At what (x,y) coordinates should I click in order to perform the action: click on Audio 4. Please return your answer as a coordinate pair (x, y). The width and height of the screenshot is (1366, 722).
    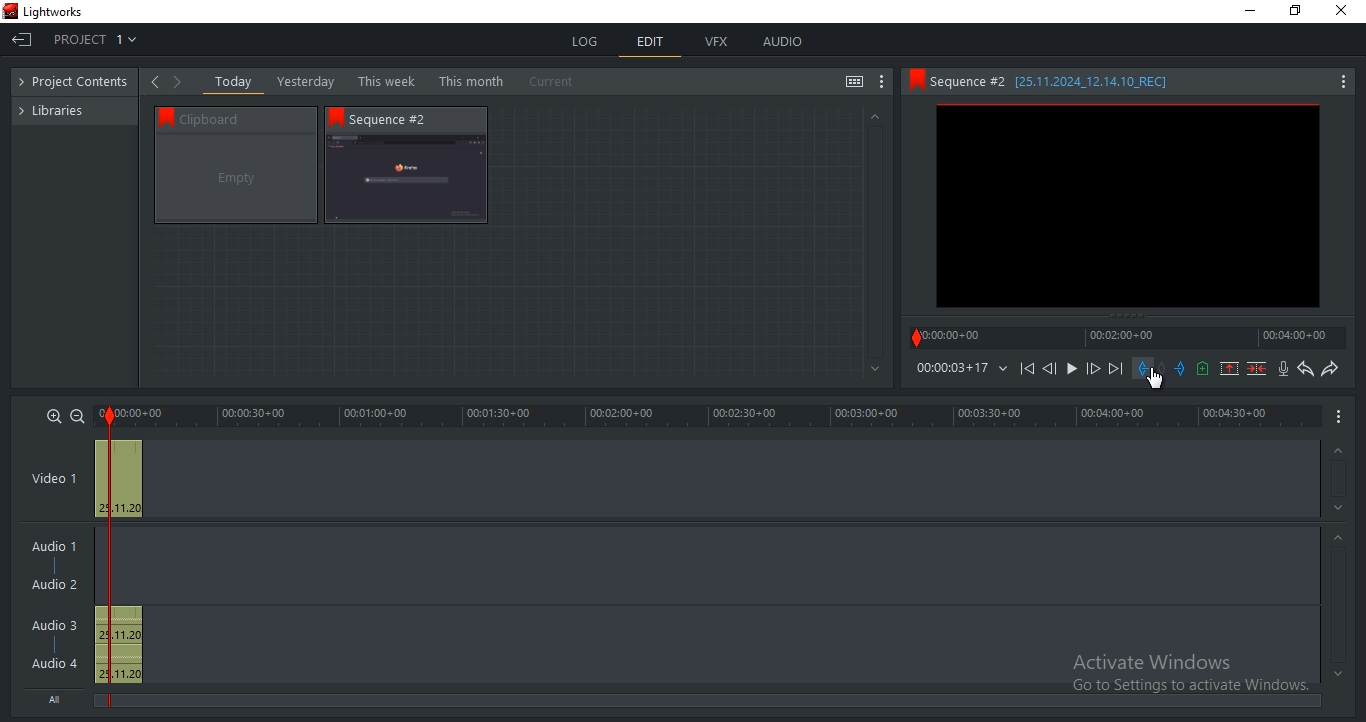
    Looking at the image, I should click on (55, 662).